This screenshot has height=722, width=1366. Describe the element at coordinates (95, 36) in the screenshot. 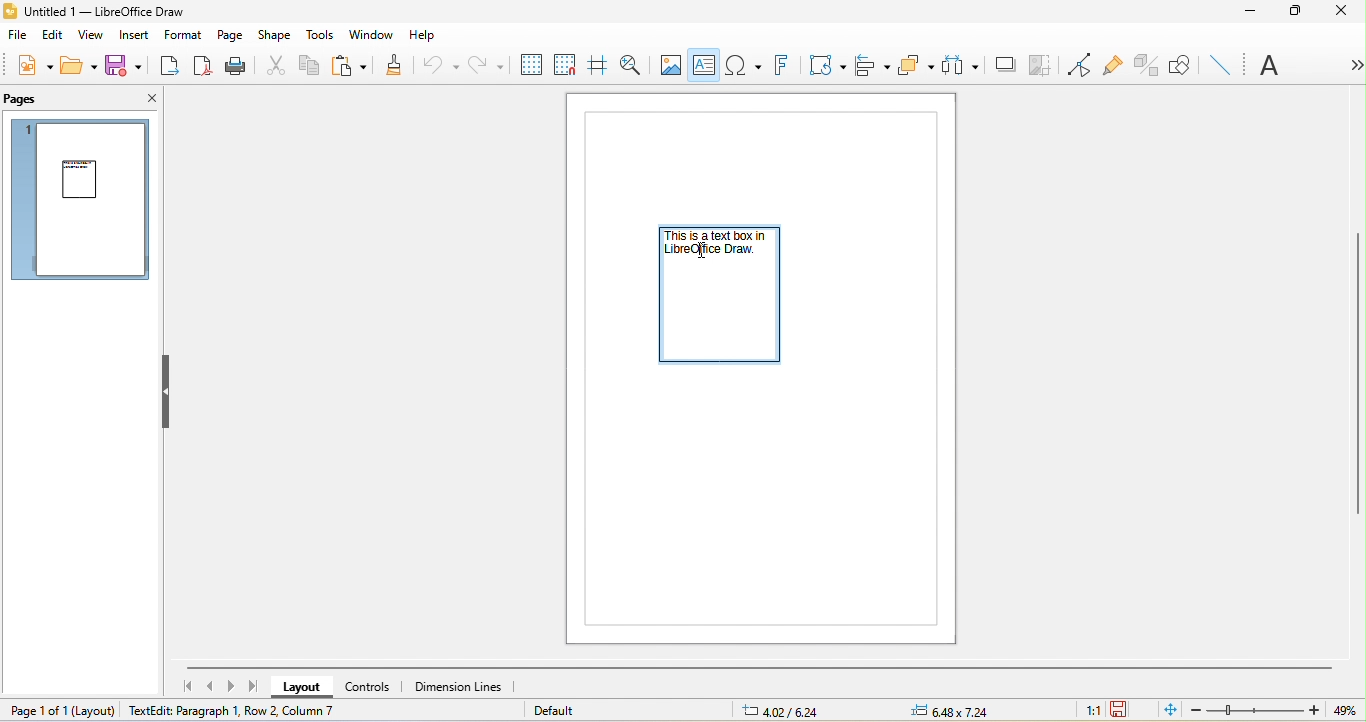

I see `view` at that location.